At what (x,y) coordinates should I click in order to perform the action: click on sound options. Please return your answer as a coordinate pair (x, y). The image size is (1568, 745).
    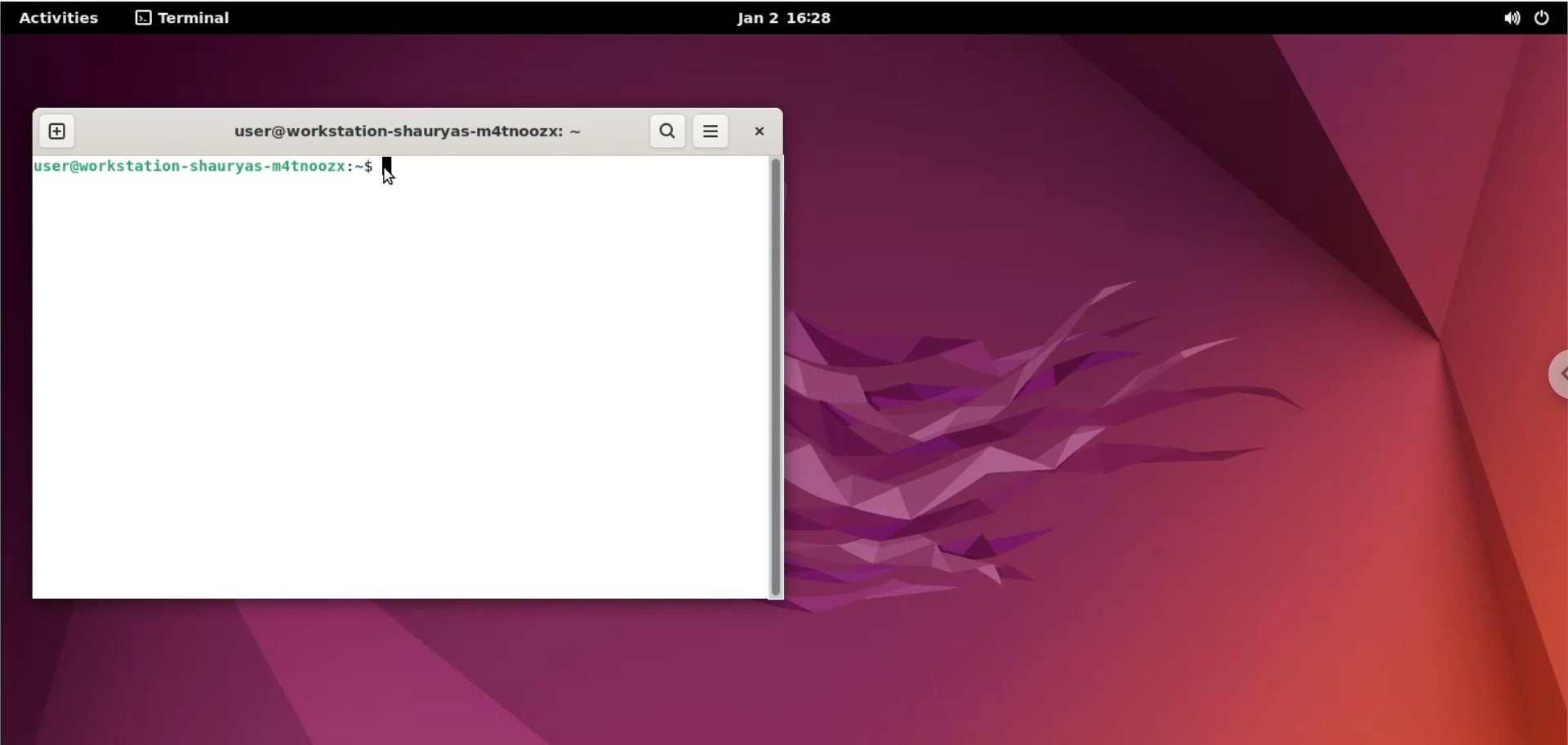
    Looking at the image, I should click on (1507, 19).